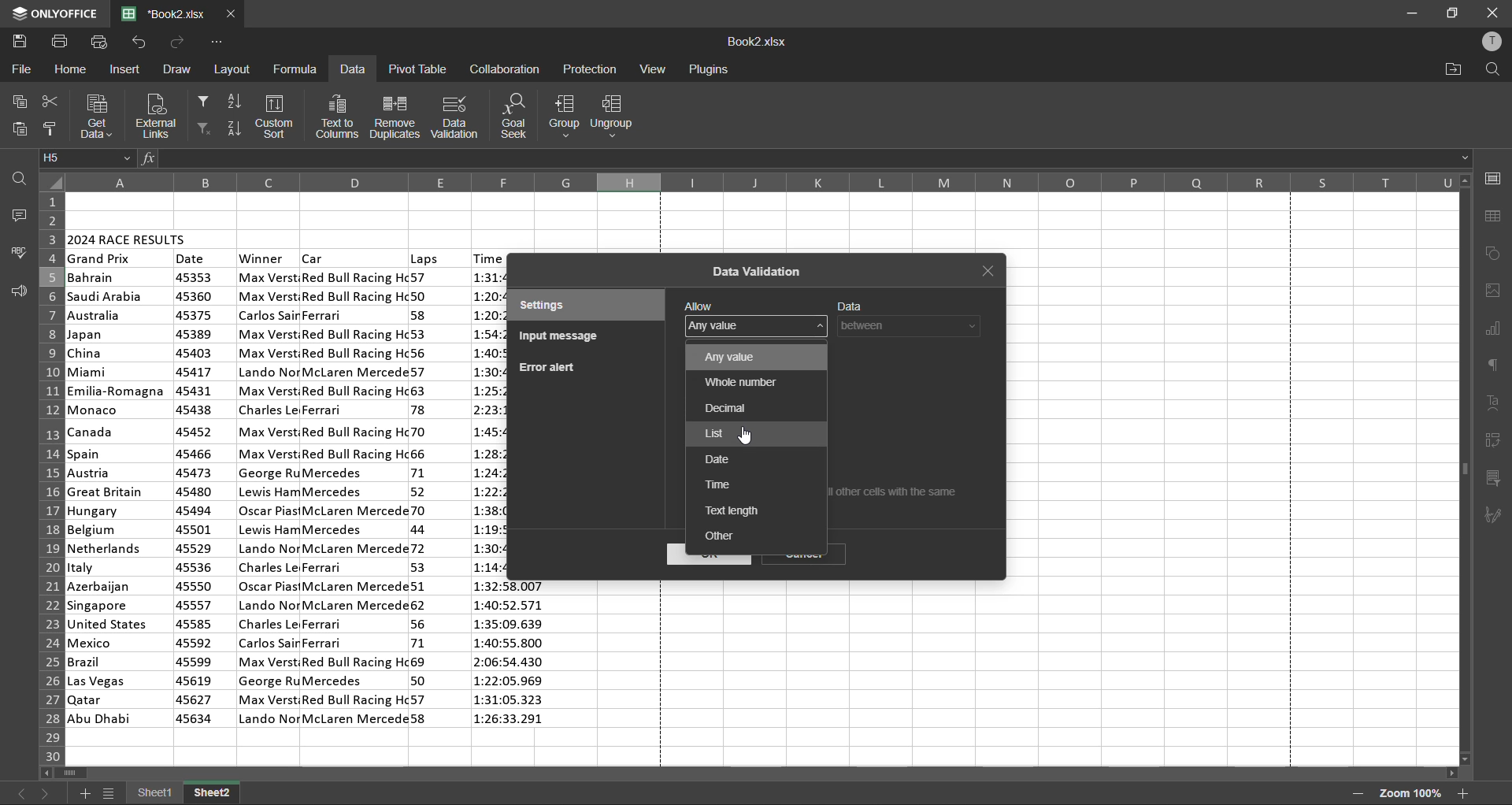 The image size is (1512, 805). I want to click on layout, so click(235, 70).